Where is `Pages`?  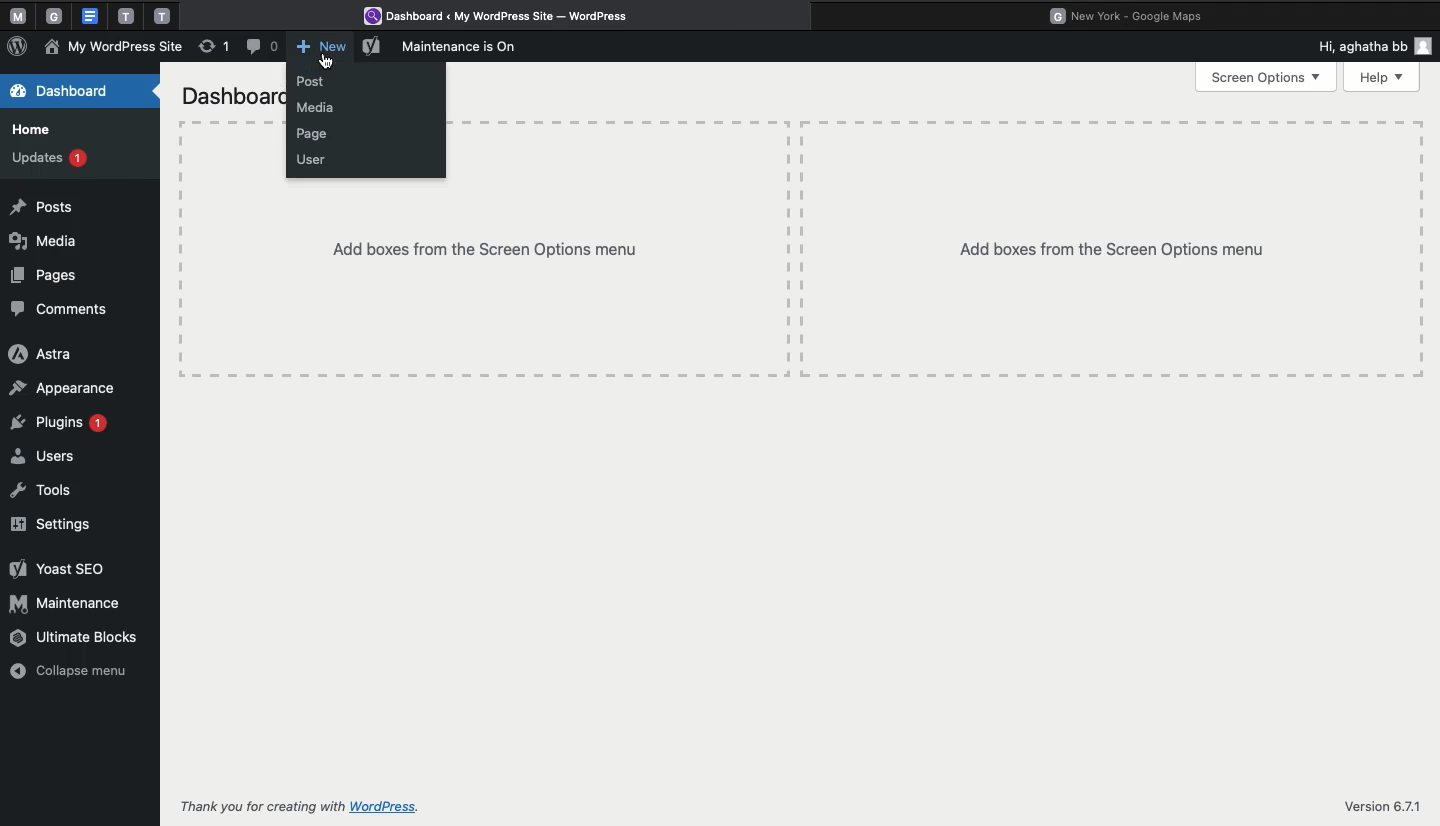 Pages is located at coordinates (316, 135).